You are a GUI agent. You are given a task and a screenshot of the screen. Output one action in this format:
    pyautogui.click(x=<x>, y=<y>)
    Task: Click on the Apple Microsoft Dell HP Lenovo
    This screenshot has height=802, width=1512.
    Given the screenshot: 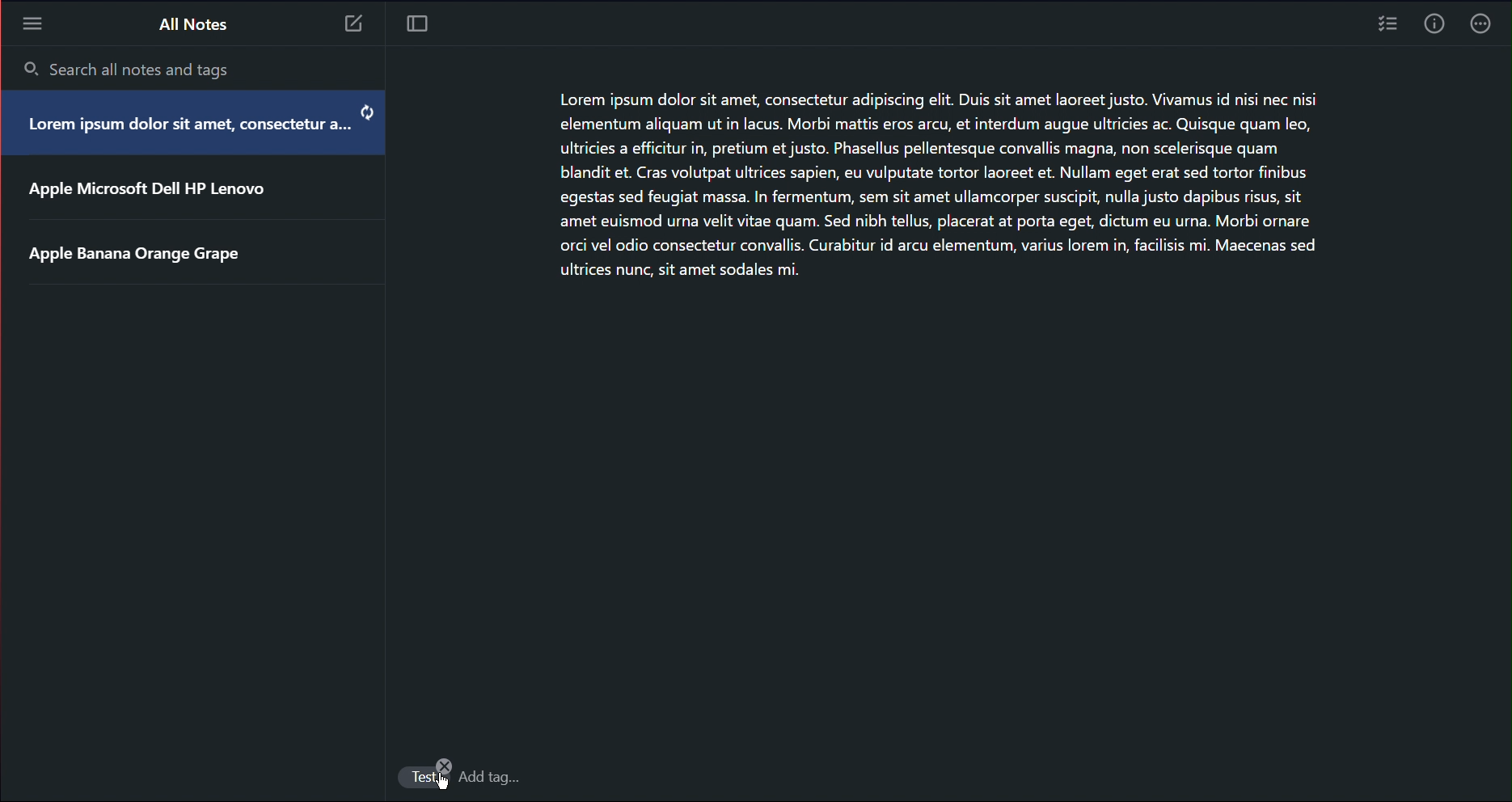 What is the action you would take?
    pyautogui.click(x=146, y=194)
    